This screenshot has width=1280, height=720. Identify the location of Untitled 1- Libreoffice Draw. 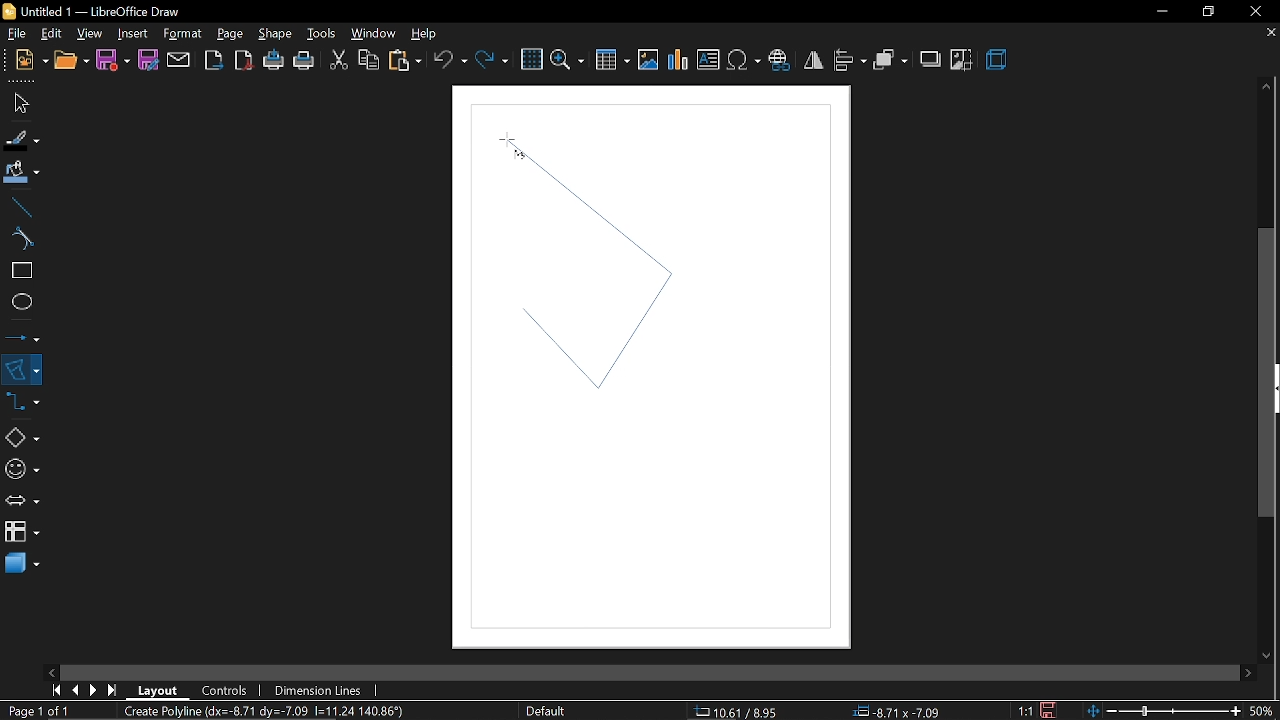
(106, 11).